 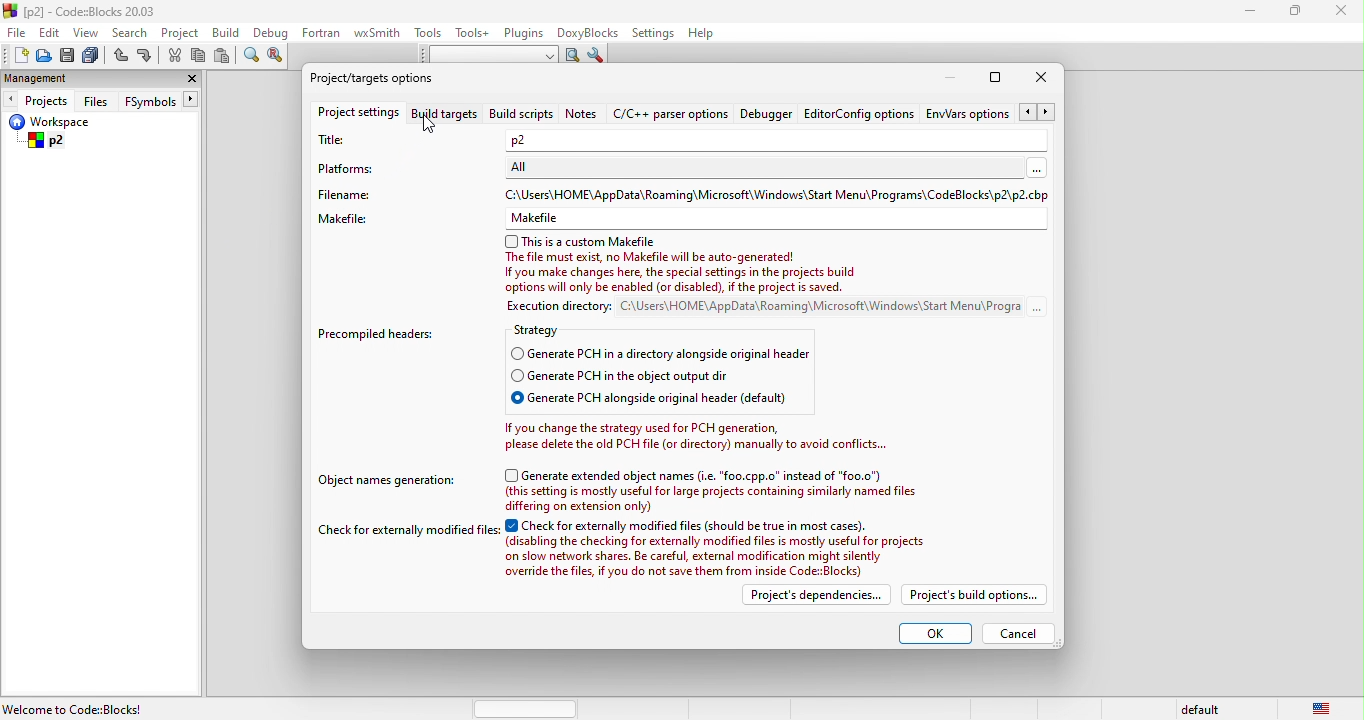 I want to click on Welcome to Code::Blocks!, so click(x=75, y=709).